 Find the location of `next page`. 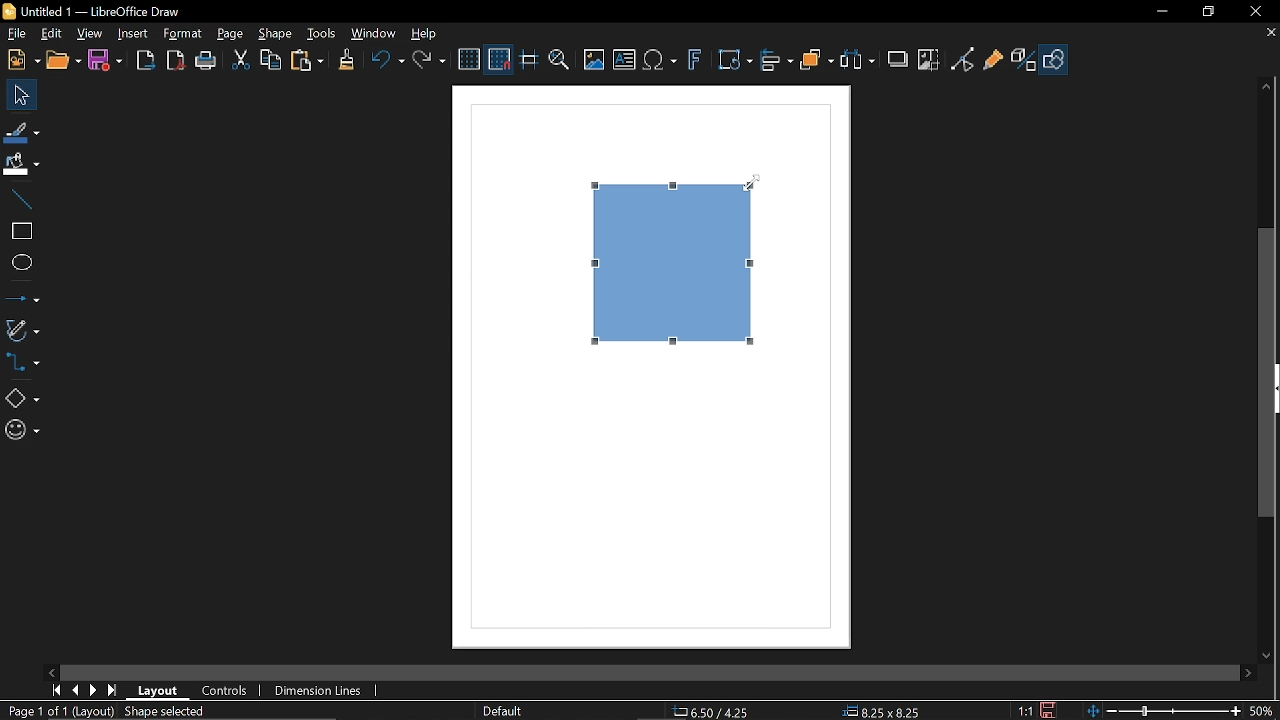

next page is located at coordinates (95, 689).